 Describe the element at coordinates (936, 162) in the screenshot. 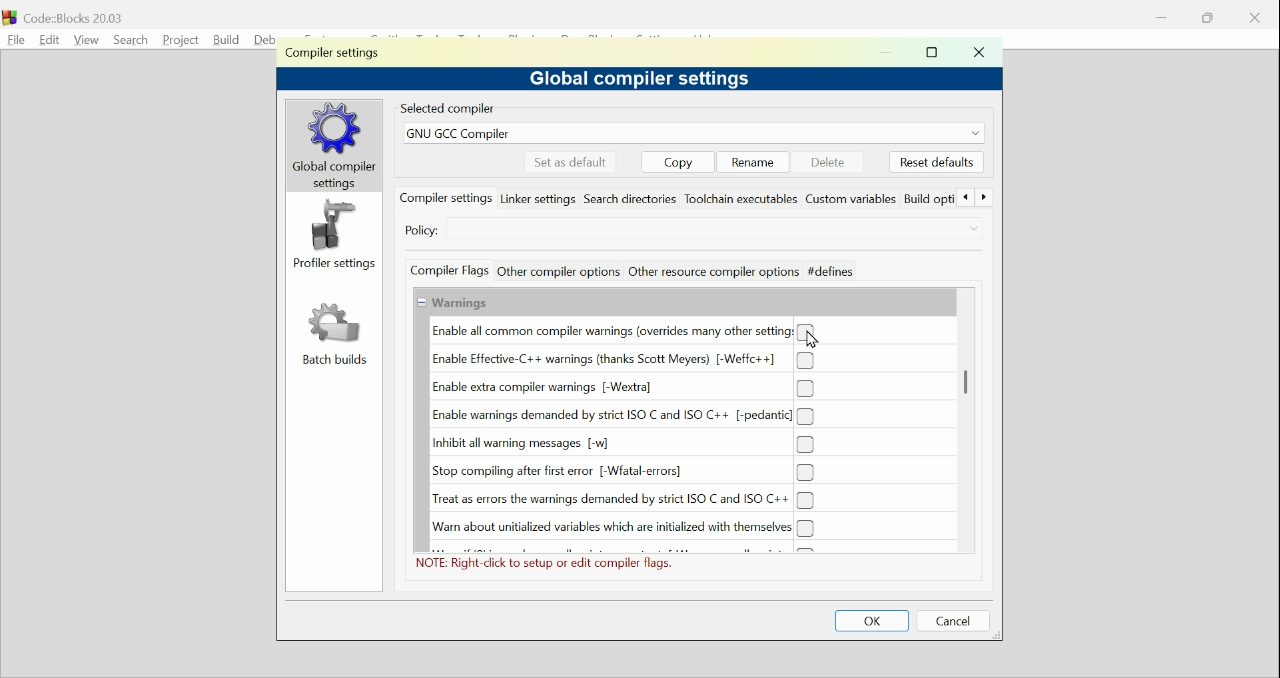

I see `Reset default` at that location.